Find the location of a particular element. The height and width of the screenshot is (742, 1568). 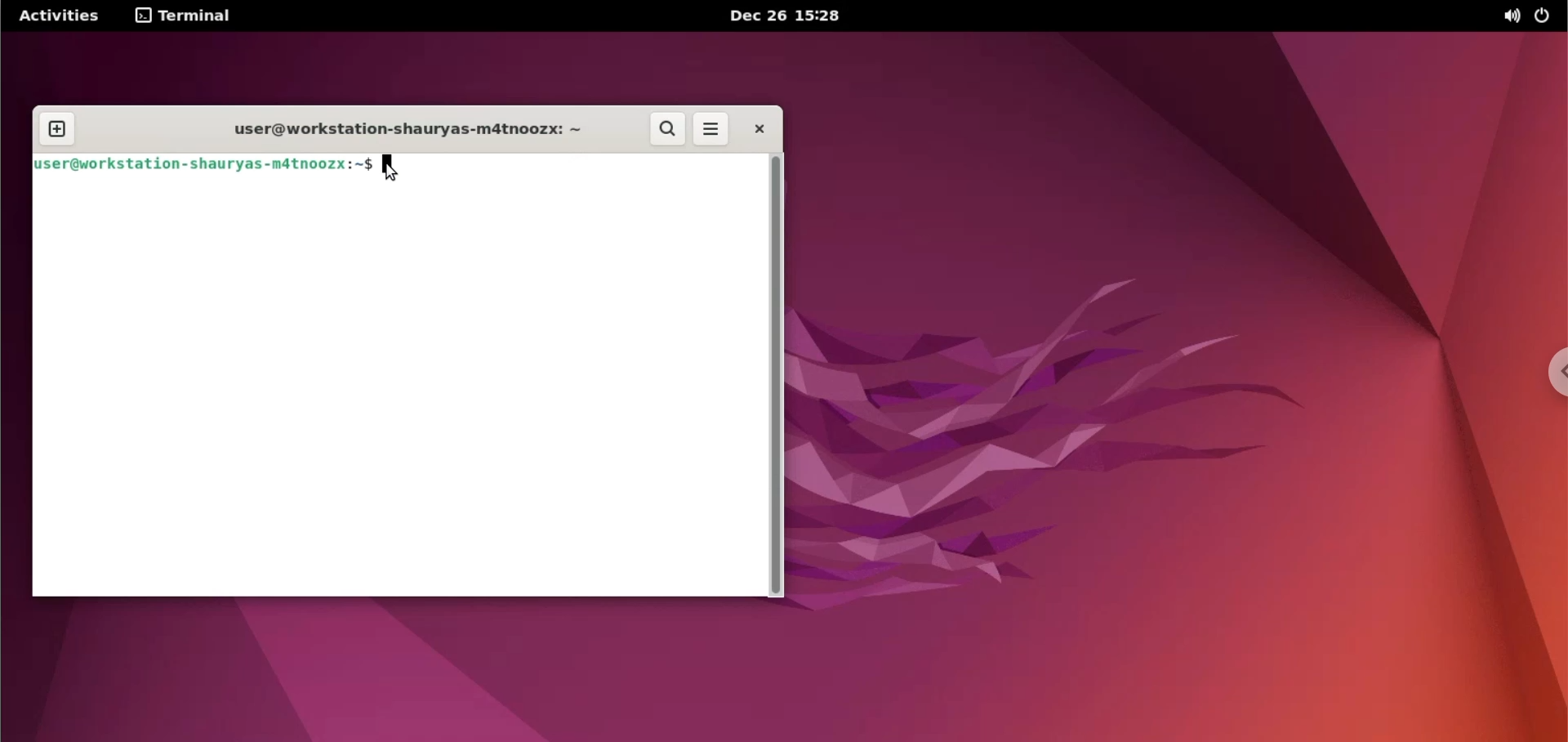

user@workstation-shauryas-m4tnoozx: ~ is located at coordinates (399, 130).